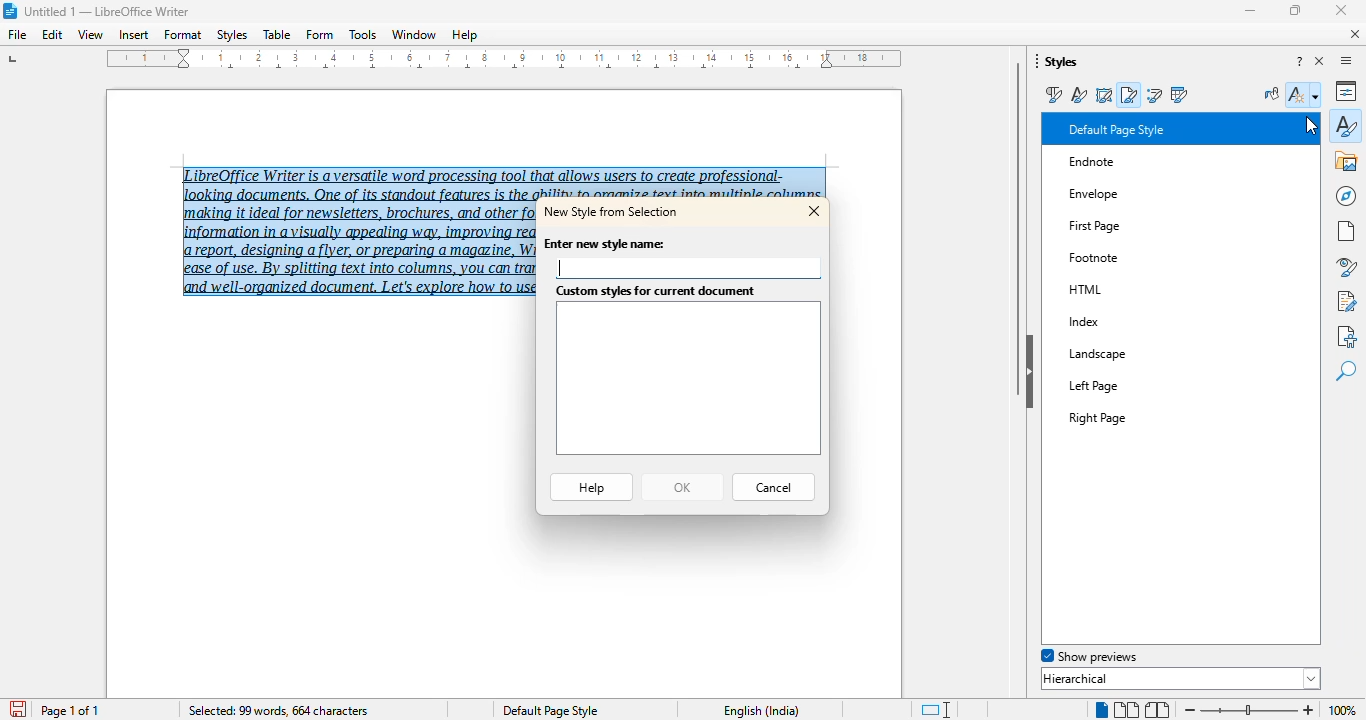 Image resolution: width=1366 pixels, height=720 pixels. What do you see at coordinates (16, 34) in the screenshot?
I see `file` at bounding box center [16, 34].